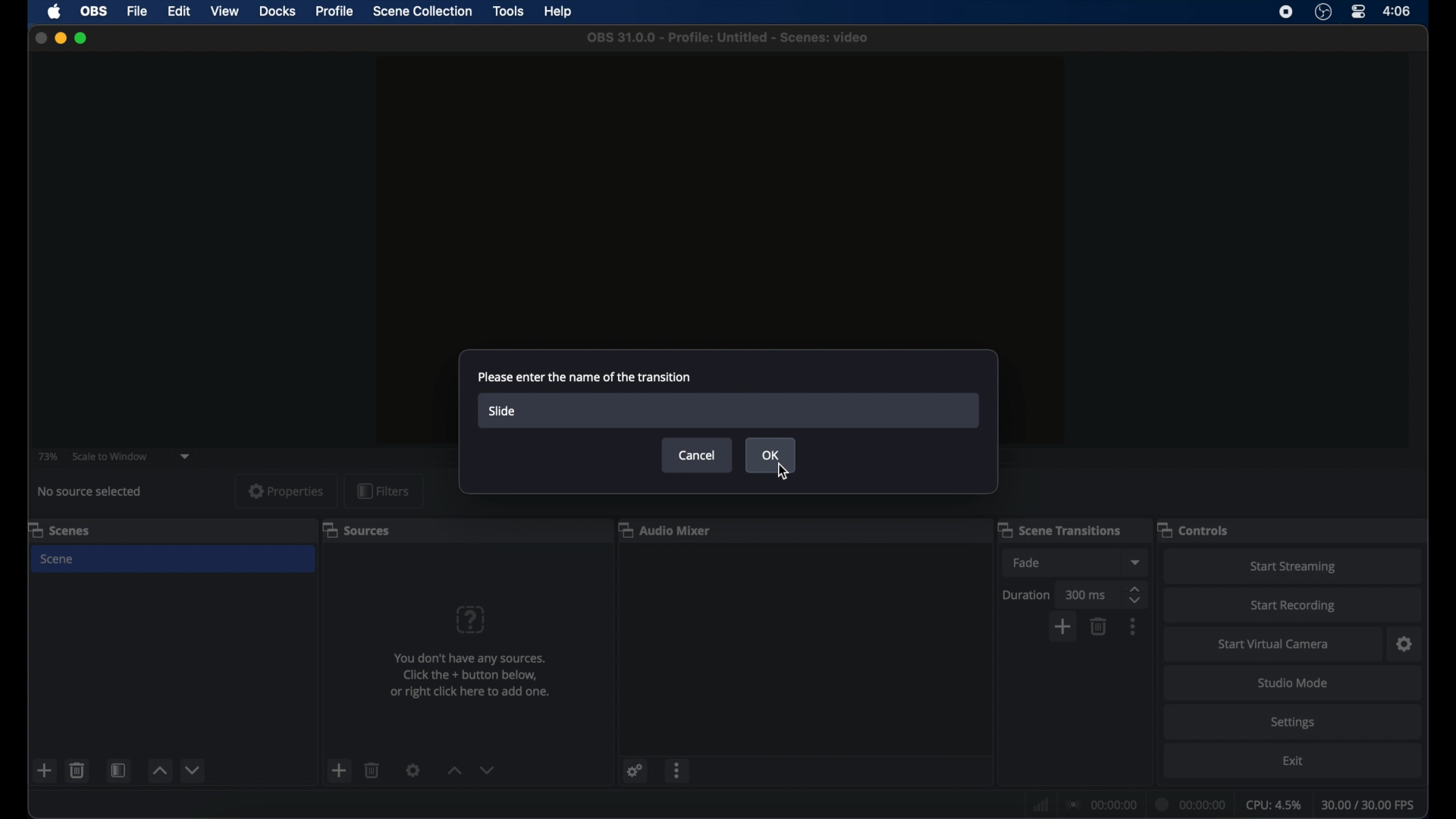 This screenshot has width=1456, height=819. What do you see at coordinates (678, 770) in the screenshot?
I see `more options` at bounding box center [678, 770].